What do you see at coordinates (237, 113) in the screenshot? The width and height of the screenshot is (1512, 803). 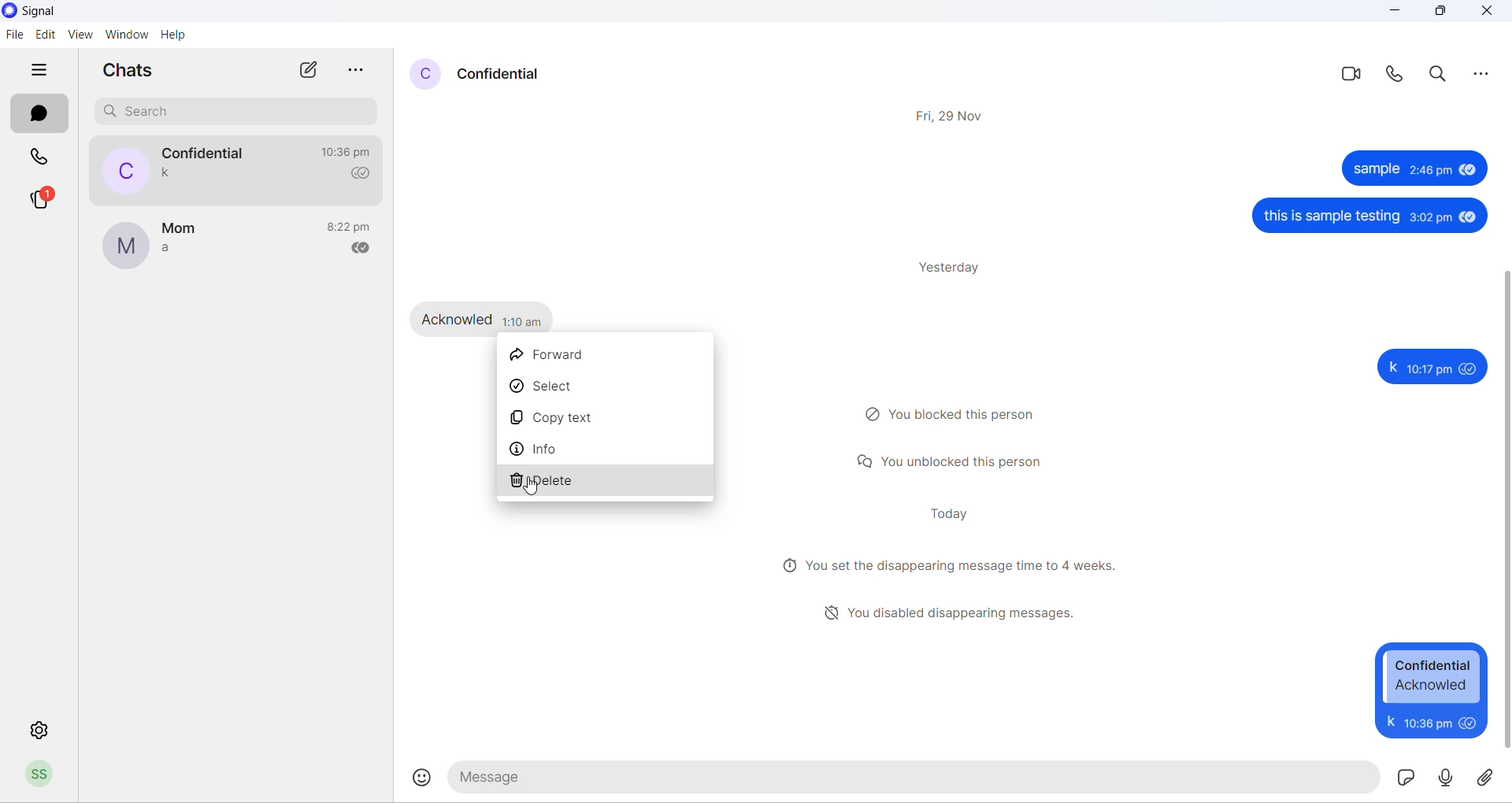 I see `search chat` at bounding box center [237, 113].